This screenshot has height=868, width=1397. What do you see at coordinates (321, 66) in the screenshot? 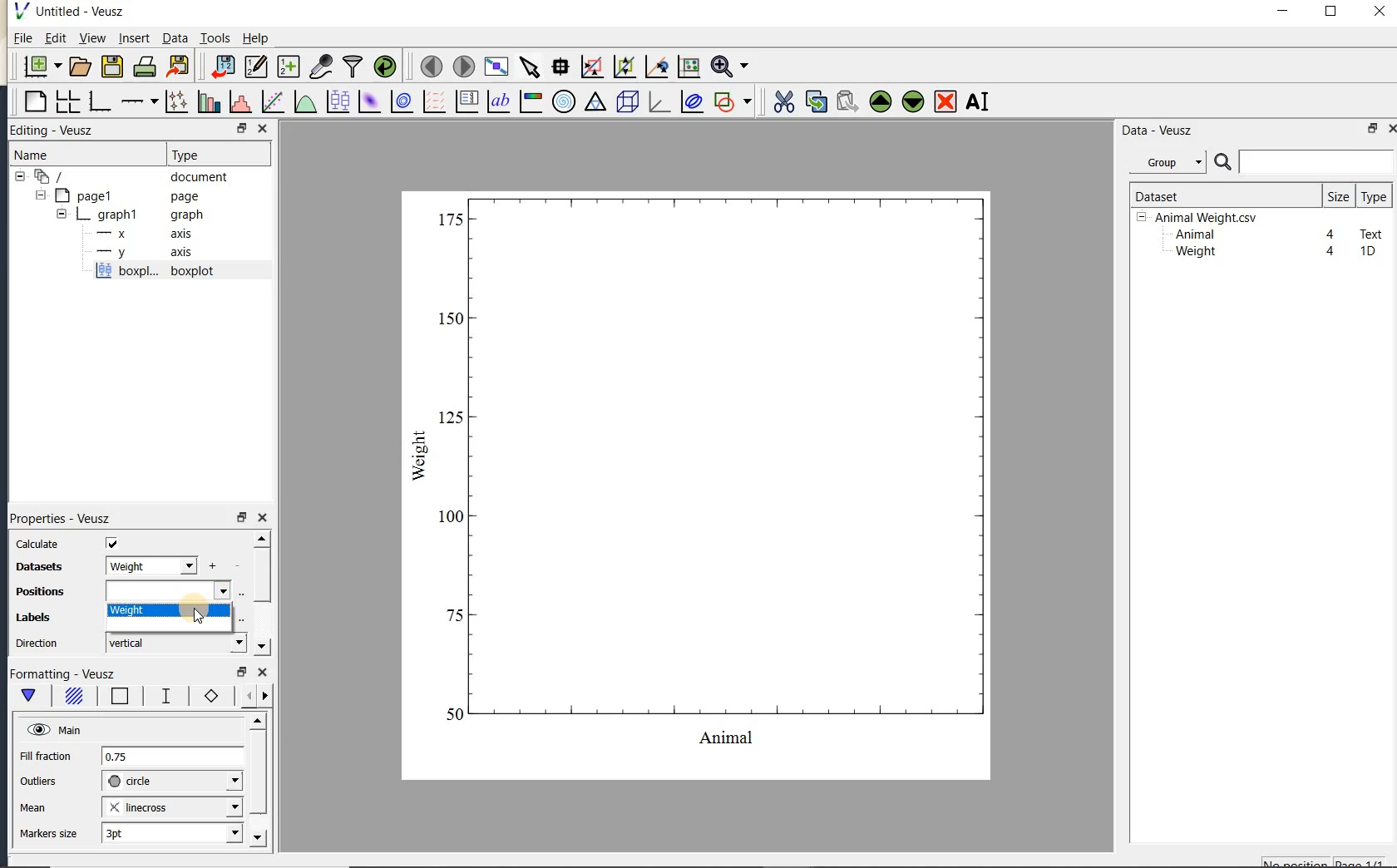
I see `capture remote data` at bounding box center [321, 66].